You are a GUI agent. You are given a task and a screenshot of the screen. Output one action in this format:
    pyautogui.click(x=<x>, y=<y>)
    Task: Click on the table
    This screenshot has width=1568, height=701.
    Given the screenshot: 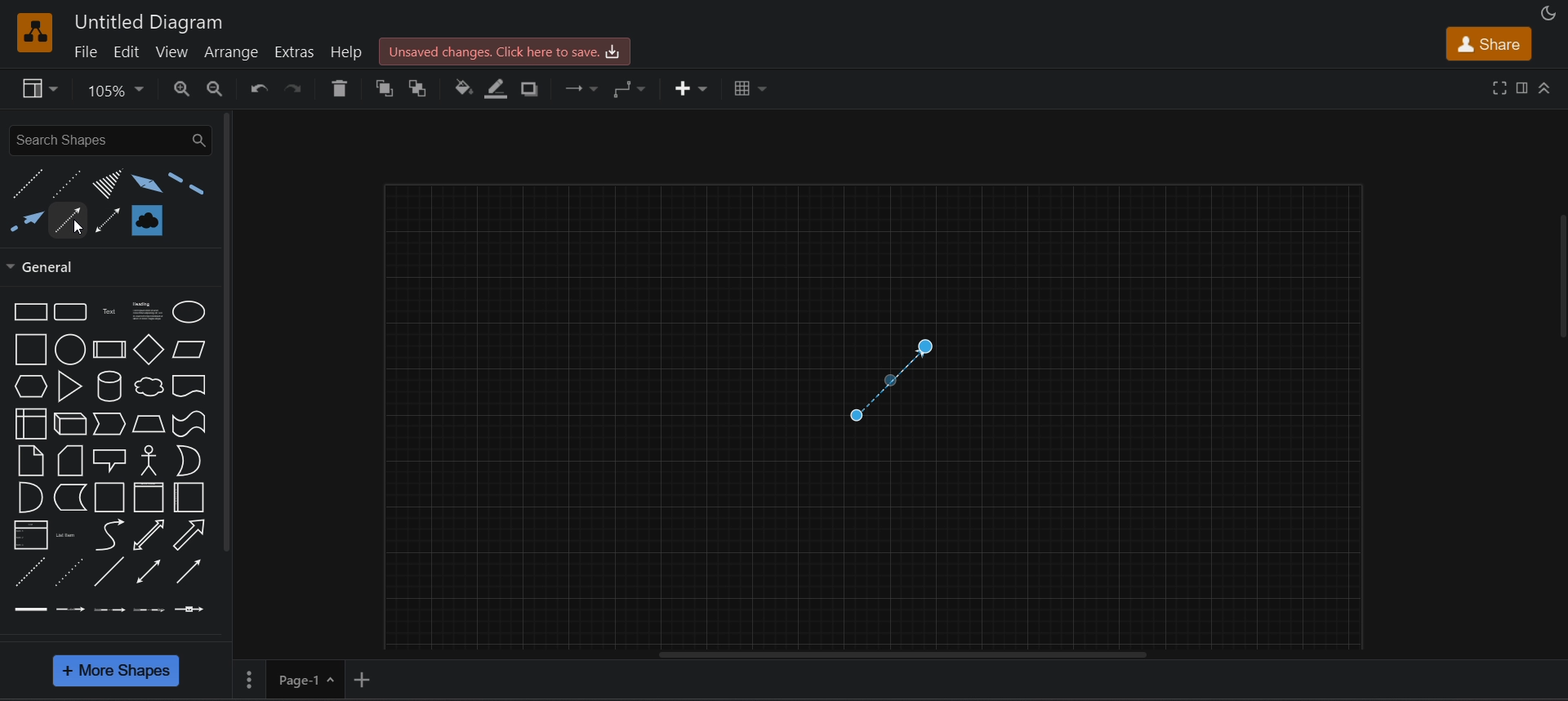 What is the action you would take?
    pyautogui.click(x=748, y=87)
    